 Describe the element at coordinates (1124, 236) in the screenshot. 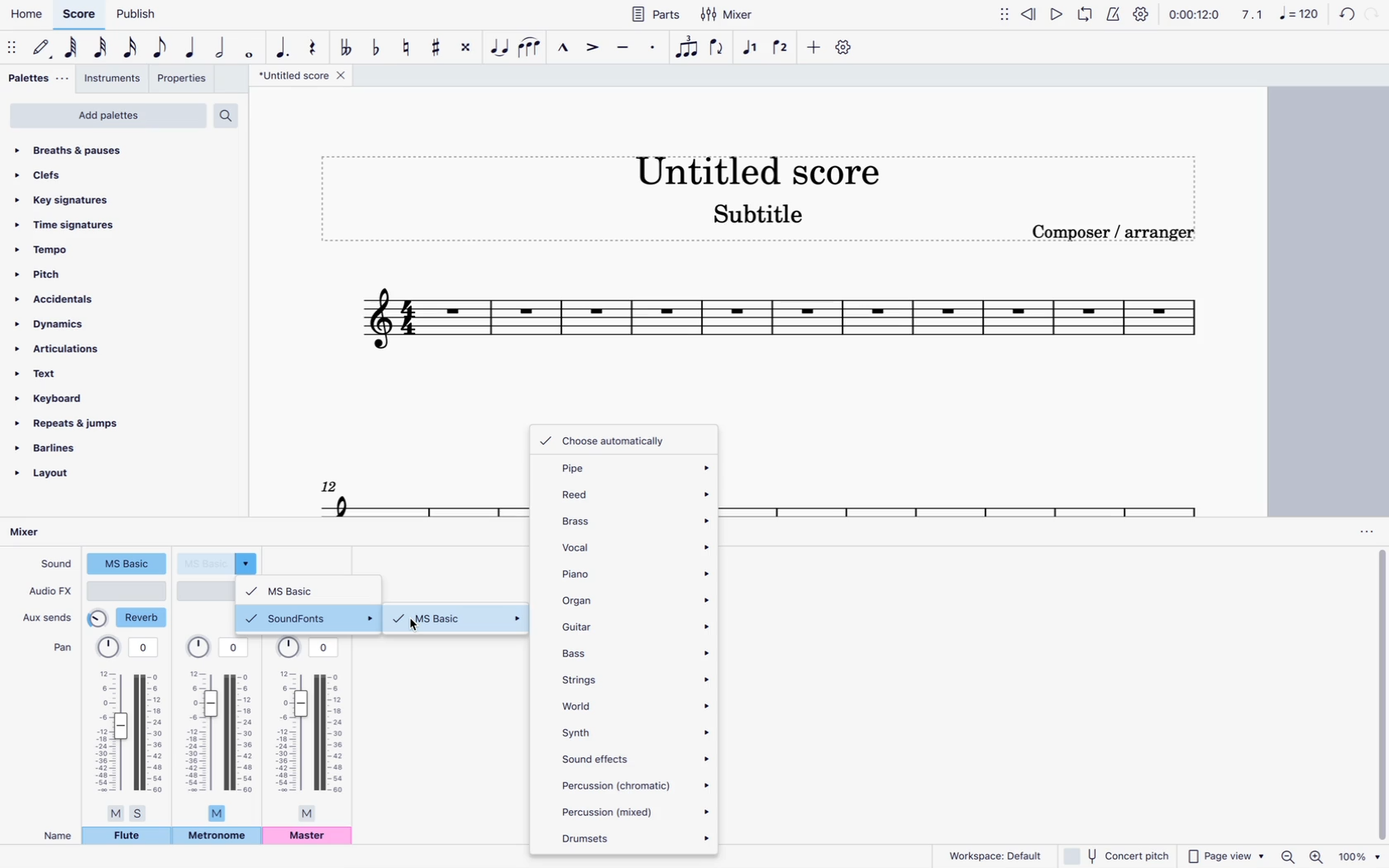

I see `composer / arranger` at that location.